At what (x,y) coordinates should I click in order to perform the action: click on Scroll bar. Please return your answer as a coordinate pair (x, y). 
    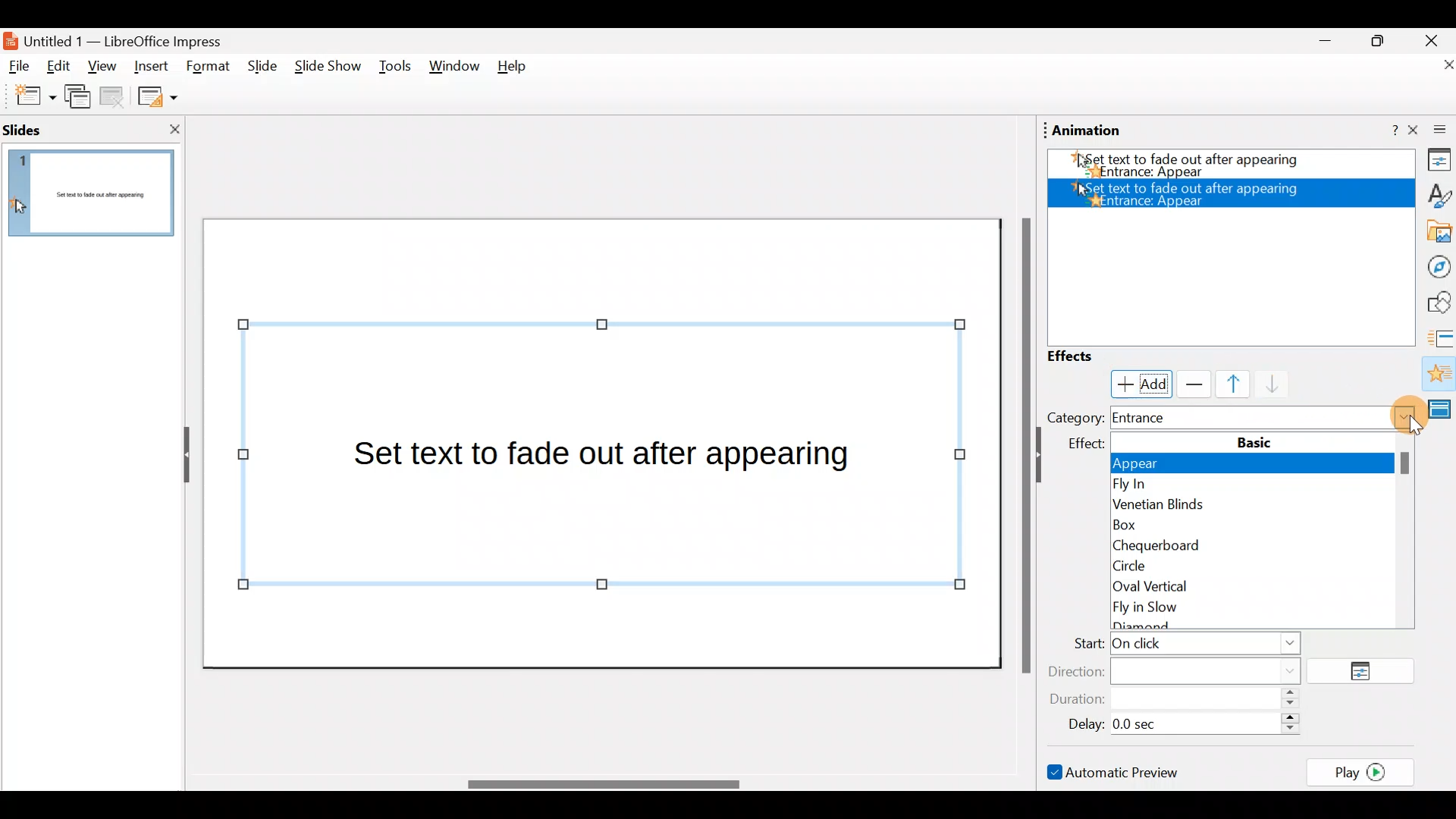
    Looking at the image, I should click on (601, 784).